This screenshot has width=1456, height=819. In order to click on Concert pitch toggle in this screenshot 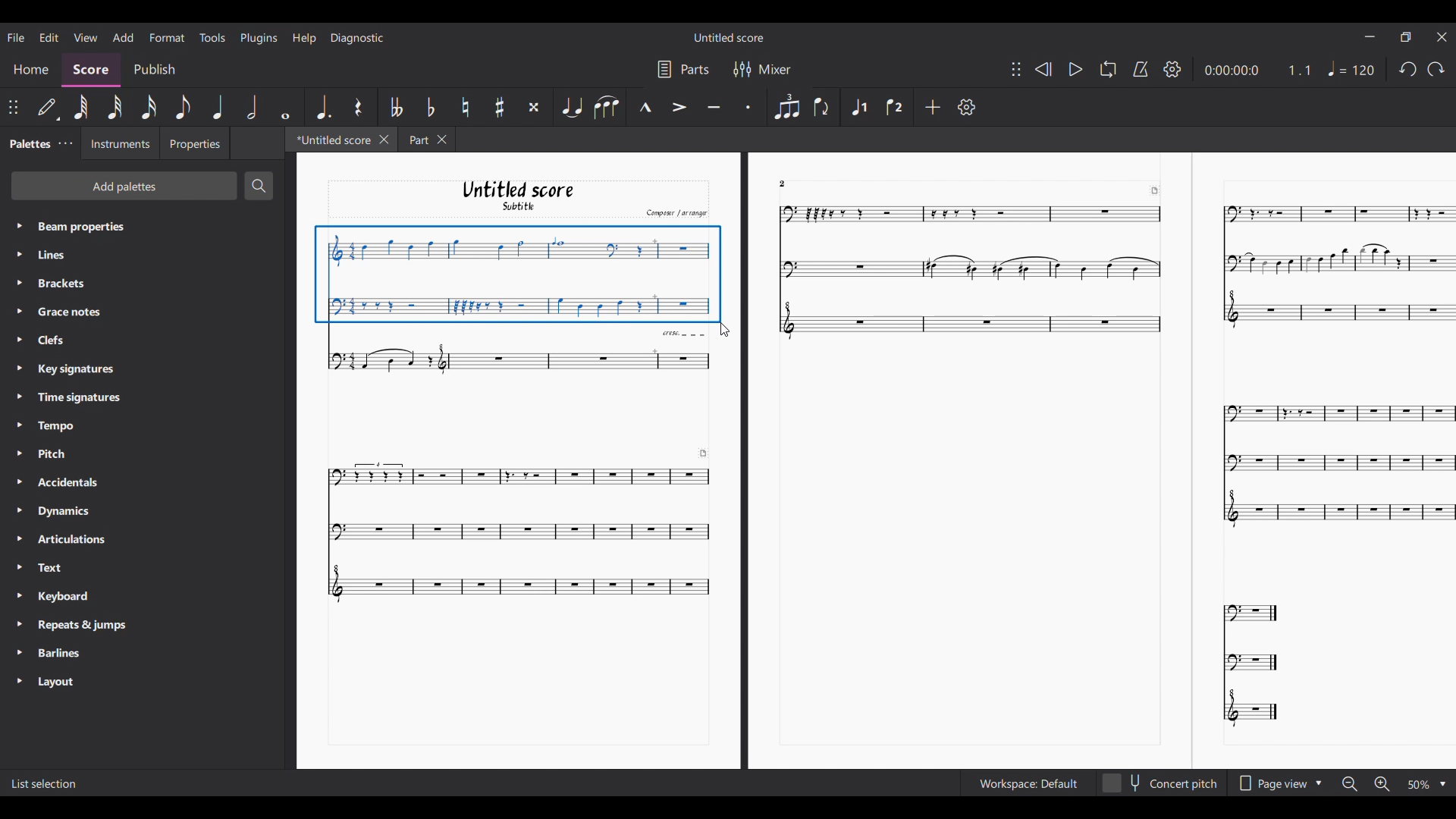, I will do `click(1160, 783)`.